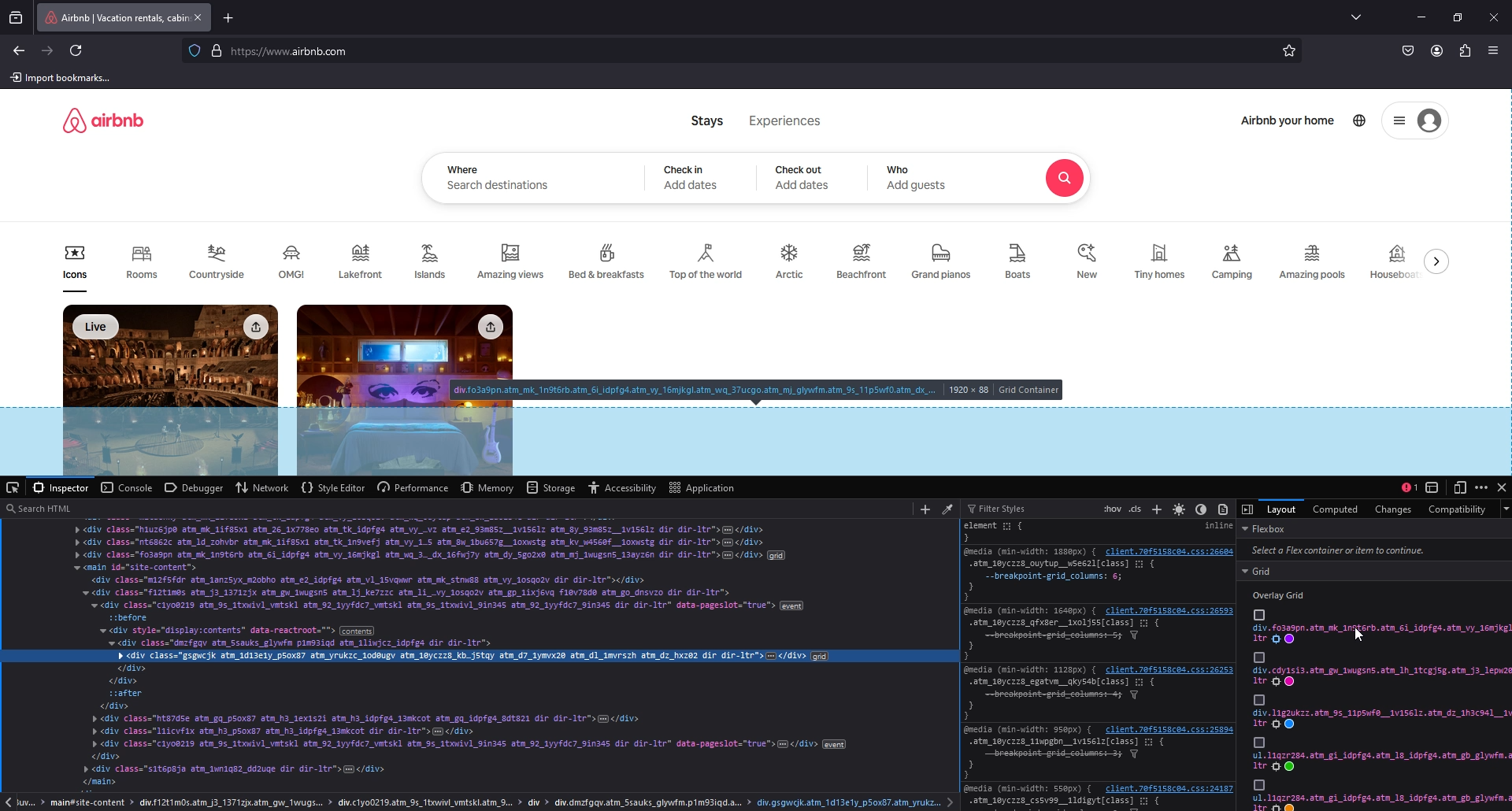 The width and height of the screenshot is (1512, 811). I want to click on pick an element, so click(14, 487).